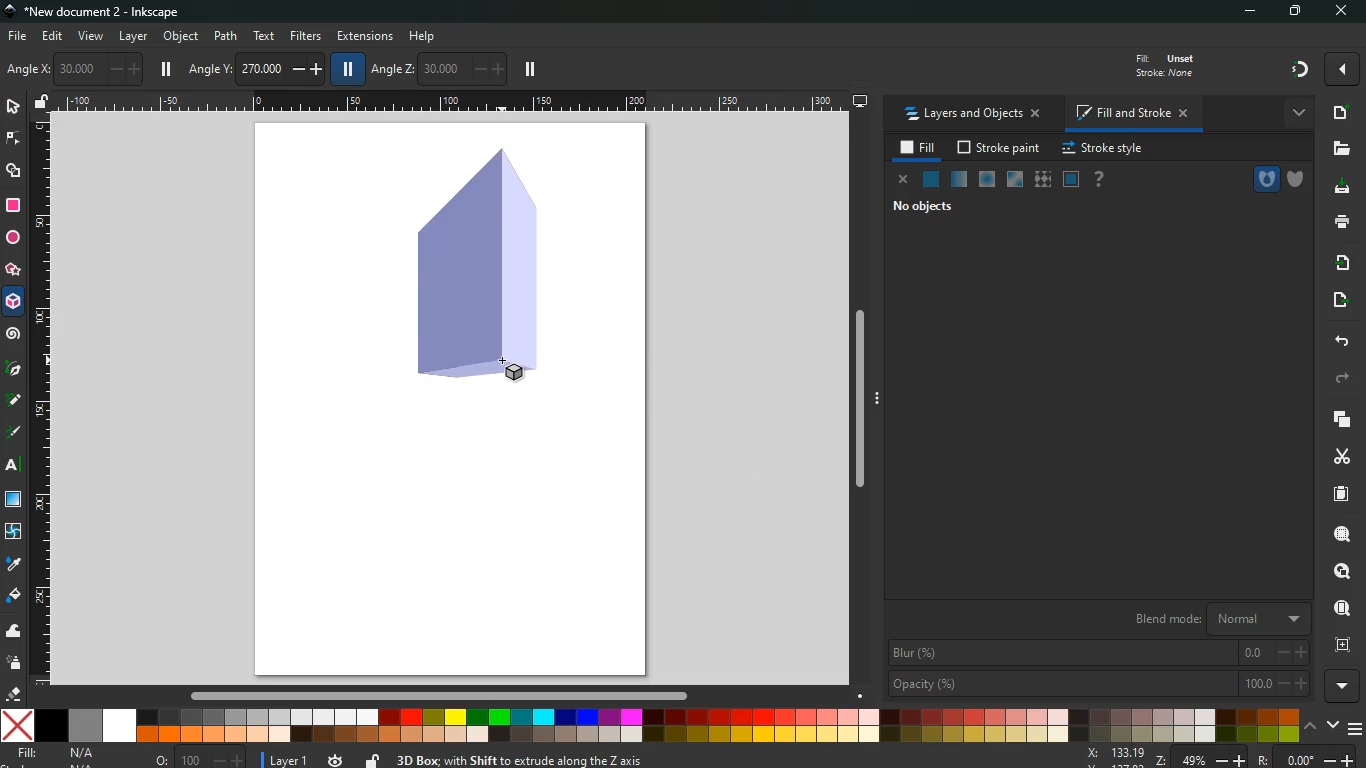  I want to click on find, so click(1340, 609).